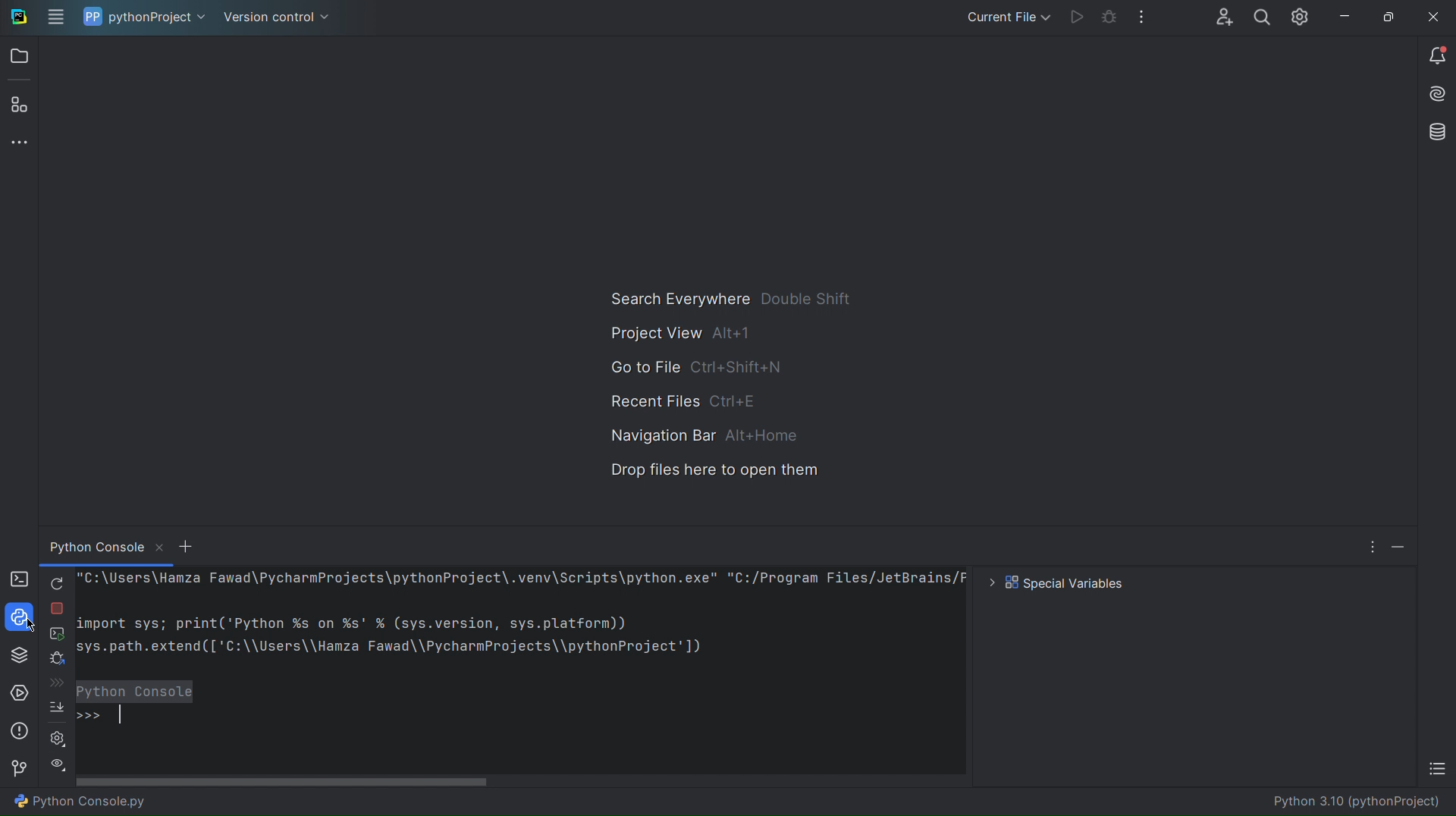  What do you see at coordinates (1137, 18) in the screenshot?
I see `More` at bounding box center [1137, 18].